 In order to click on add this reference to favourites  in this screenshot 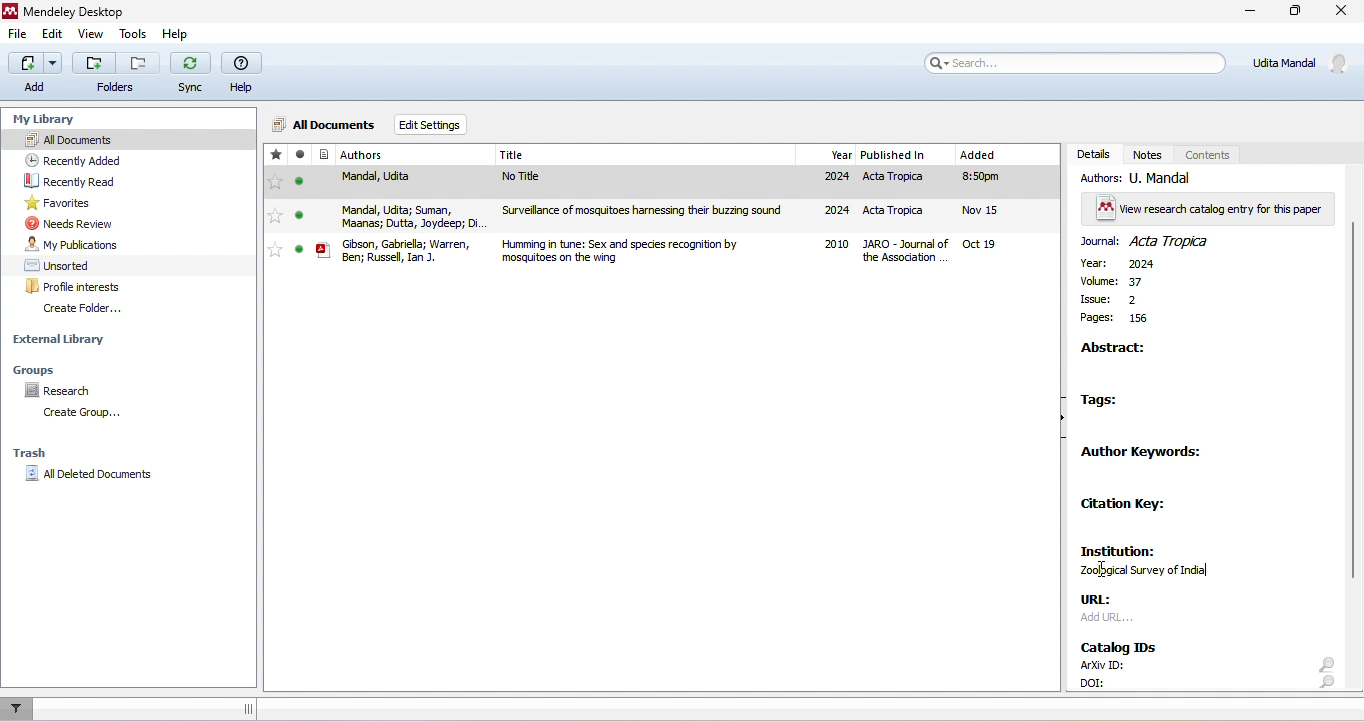, I will do `click(276, 156)`.